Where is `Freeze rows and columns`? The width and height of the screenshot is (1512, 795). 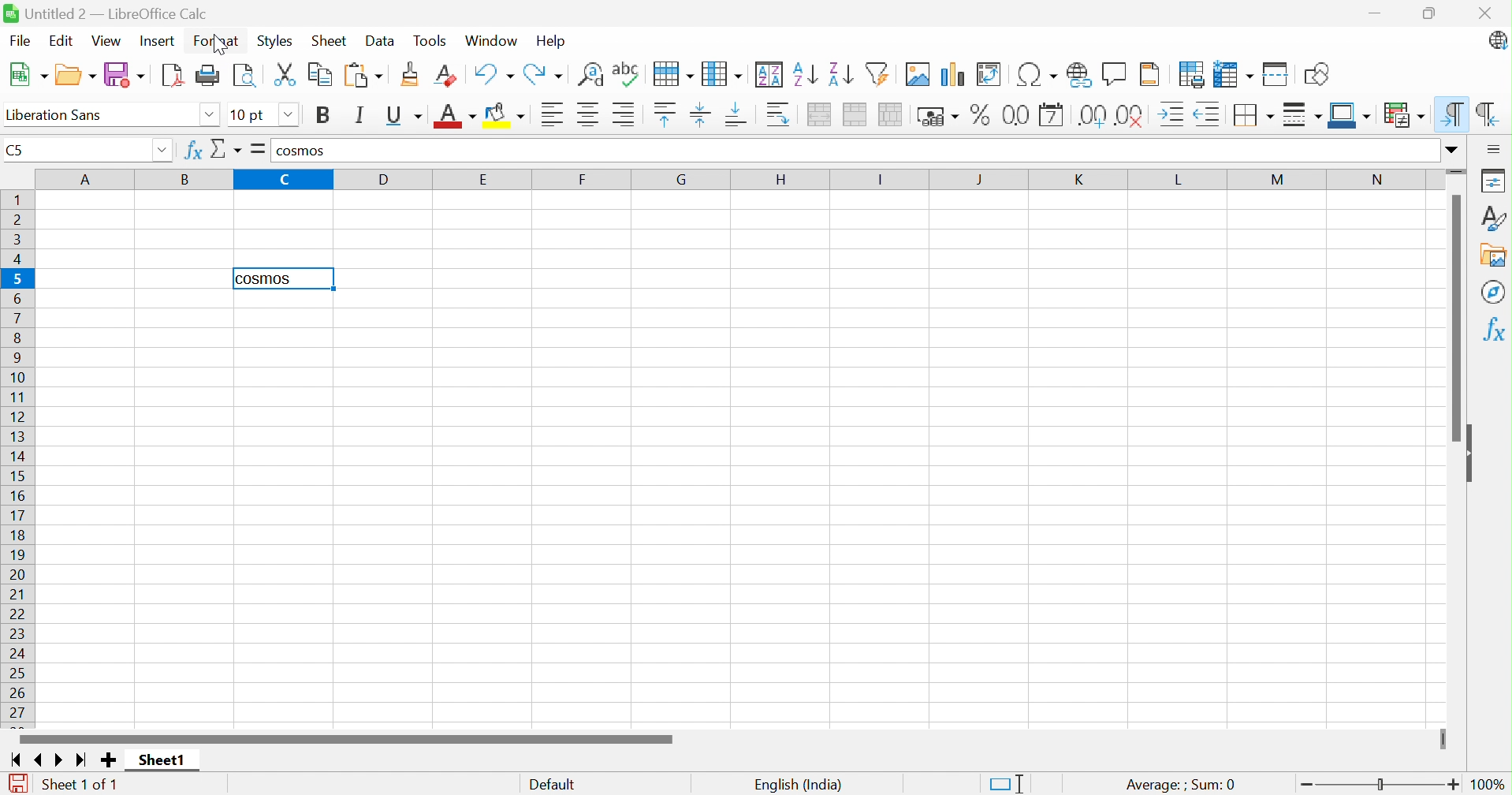 Freeze rows and columns is located at coordinates (1234, 75).